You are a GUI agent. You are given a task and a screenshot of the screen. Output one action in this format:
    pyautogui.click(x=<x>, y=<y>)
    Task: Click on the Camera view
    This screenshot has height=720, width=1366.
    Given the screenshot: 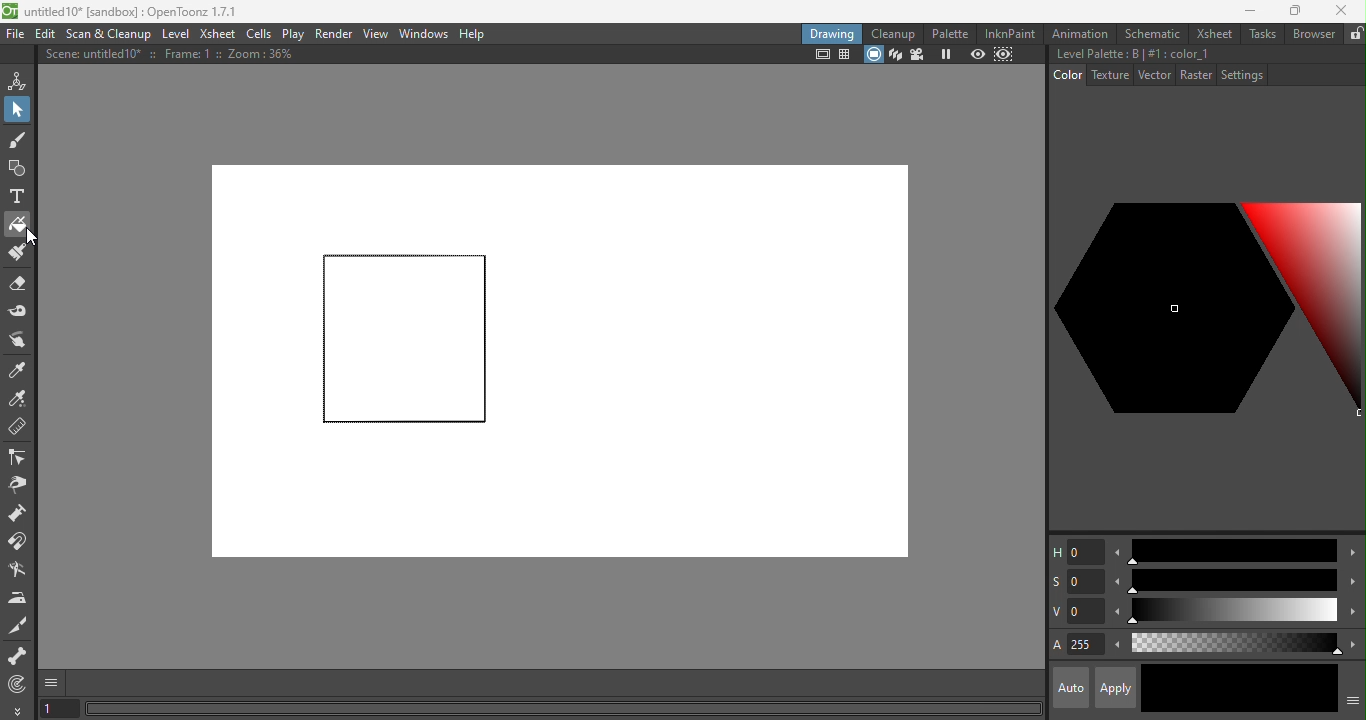 What is the action you would take?
    pyautogui.click(x=916, y=55)
    